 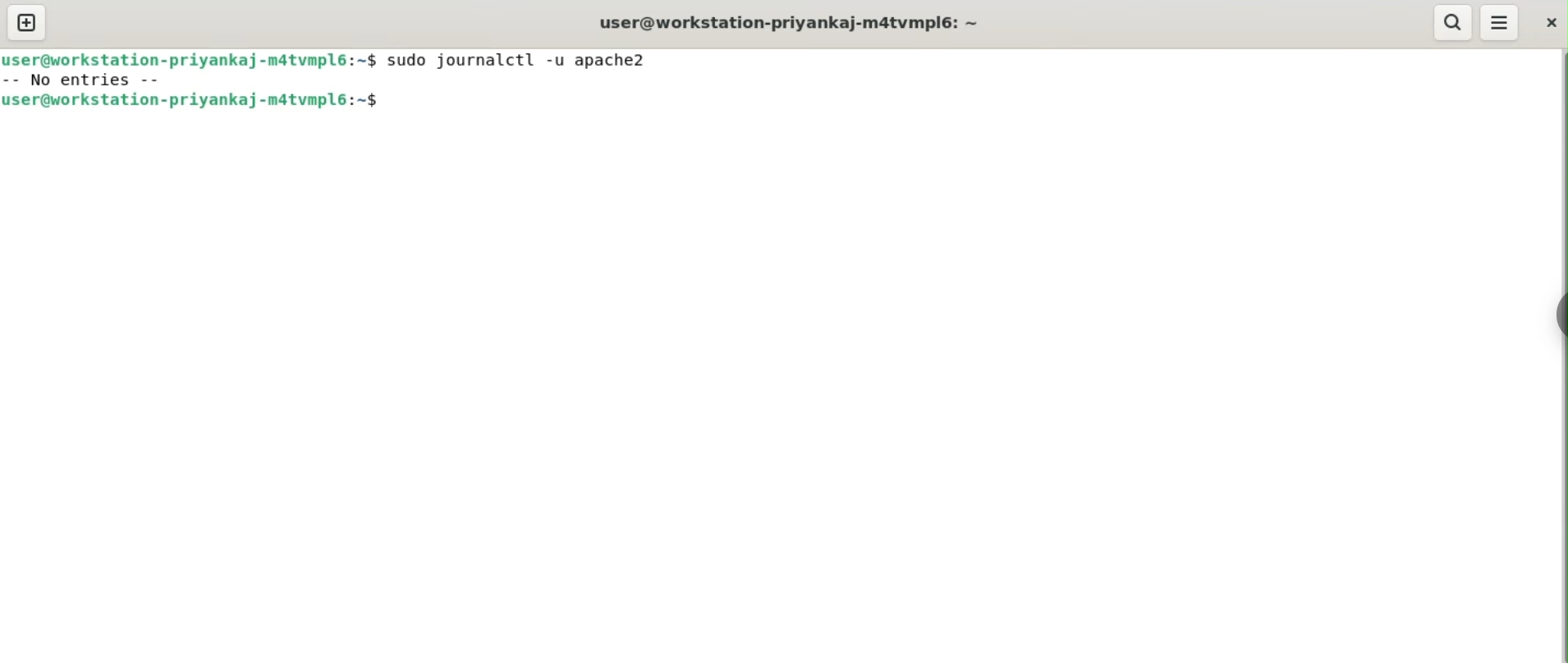 I want to click on user@workstation-priyankaj-m4tvmpl6:~$, so click(x=199, y=102).